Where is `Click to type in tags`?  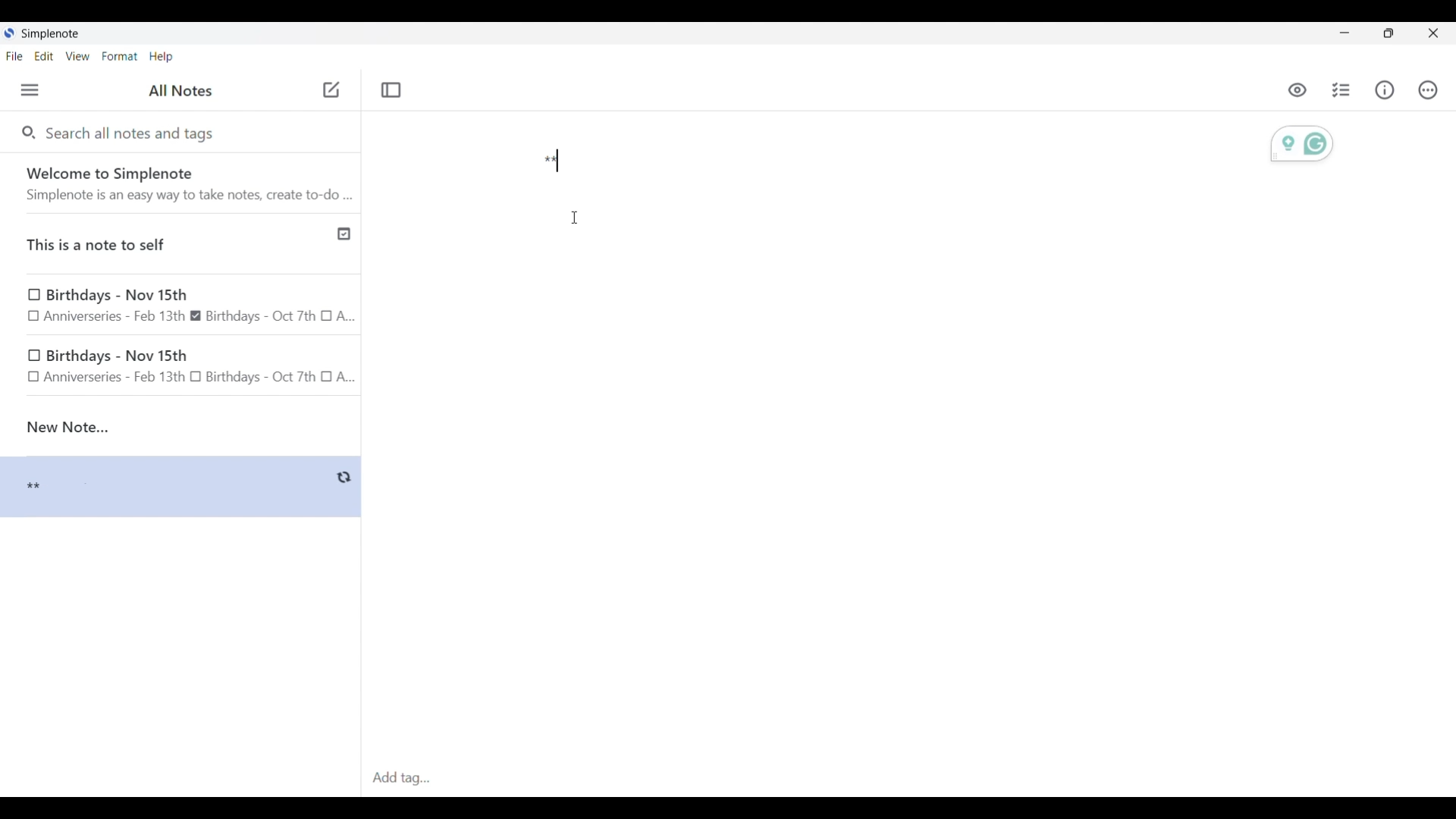 Click to type in tags is located at coordinates (908, 779).